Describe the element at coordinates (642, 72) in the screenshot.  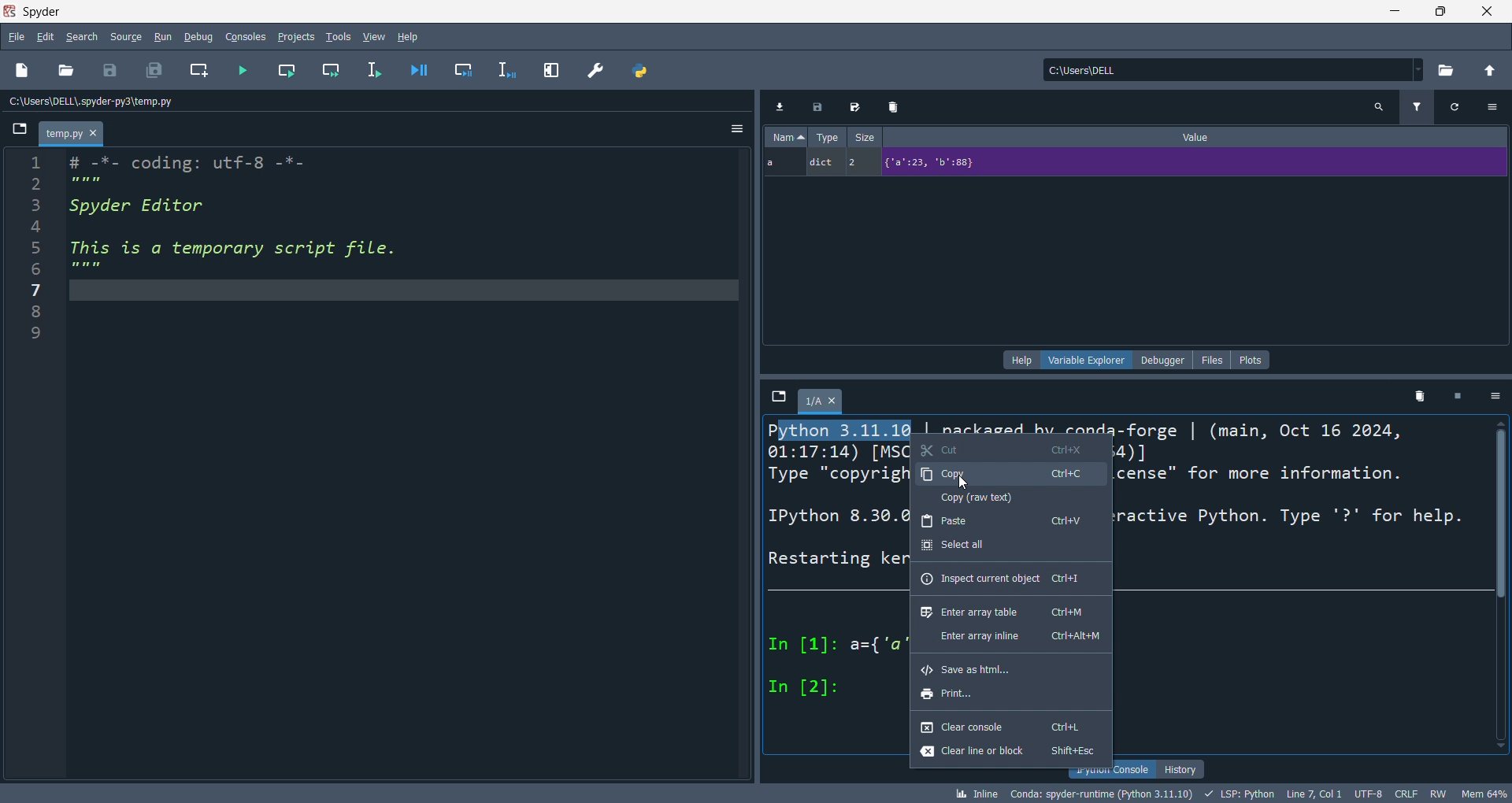
I see `path manager` at that location.